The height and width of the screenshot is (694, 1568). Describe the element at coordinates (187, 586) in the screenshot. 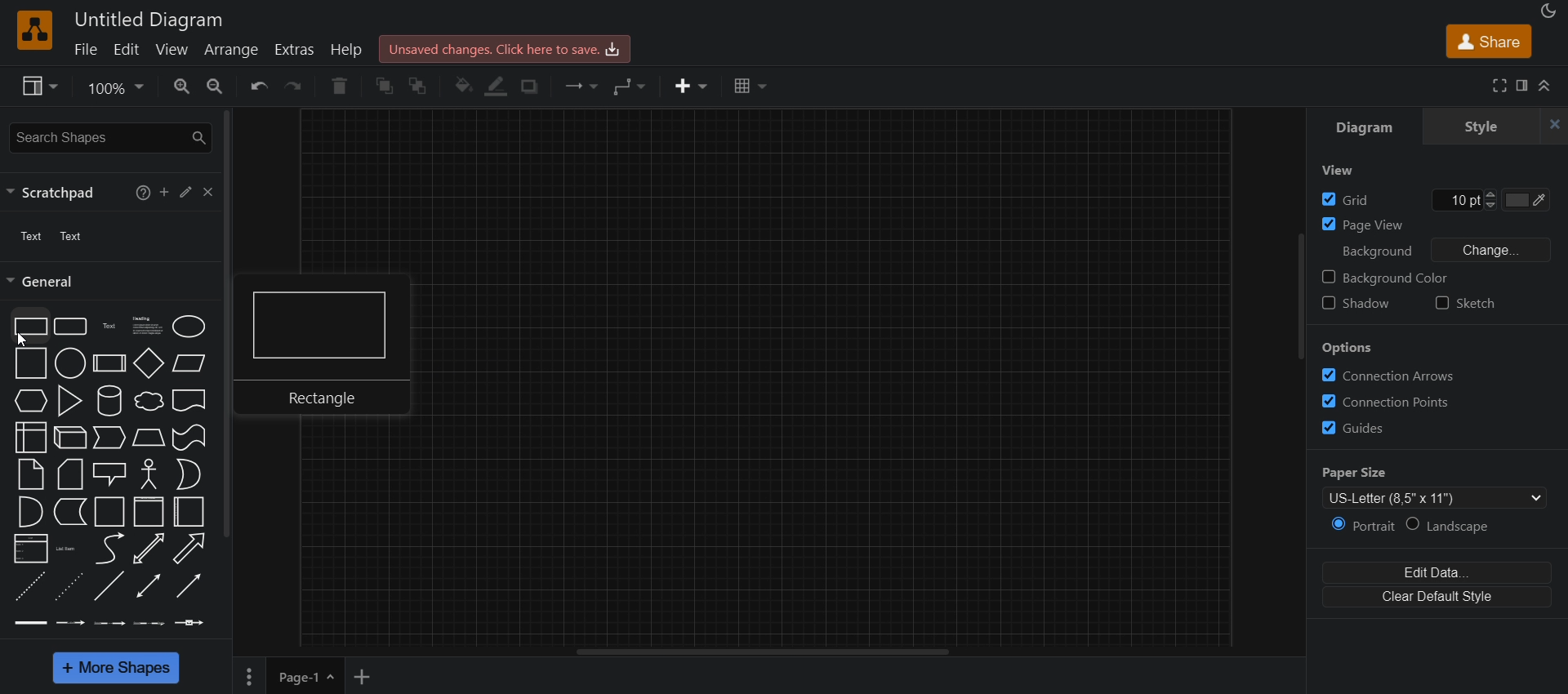

I see `directional connector` at that location.